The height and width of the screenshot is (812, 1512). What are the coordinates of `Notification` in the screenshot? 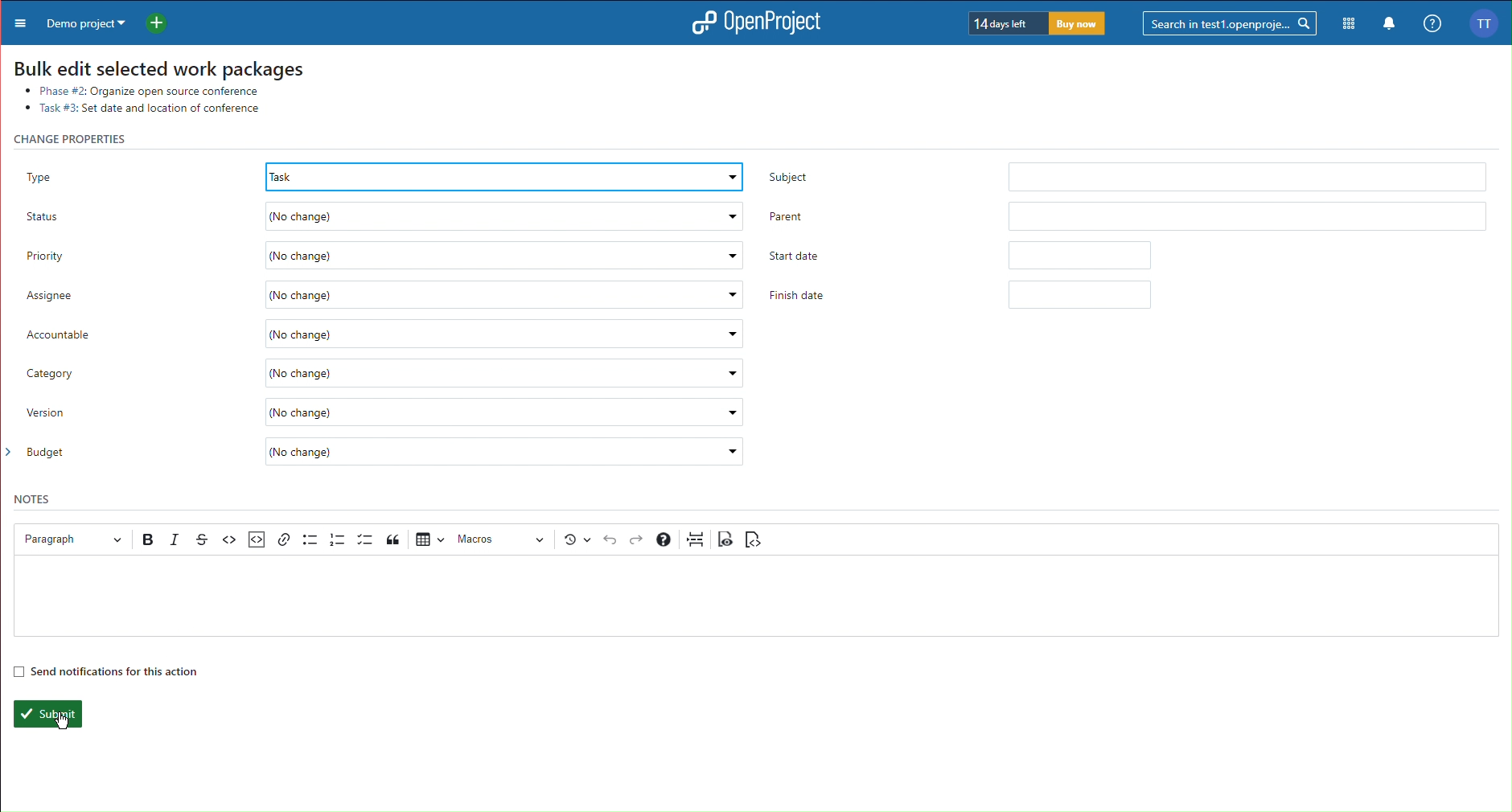 It's located at (1390, 25).